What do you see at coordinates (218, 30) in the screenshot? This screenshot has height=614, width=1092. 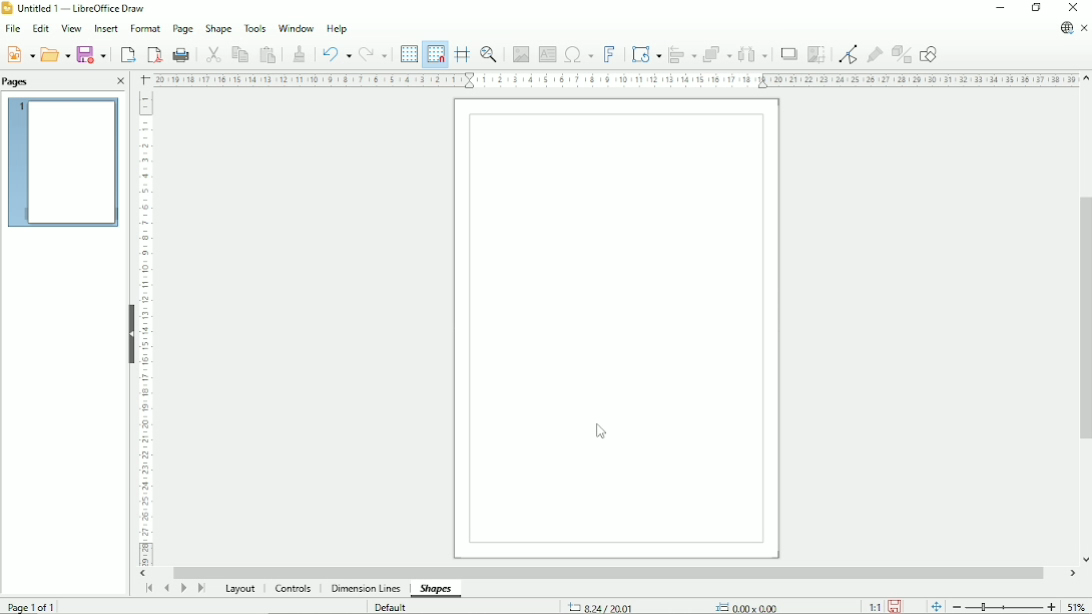 I see `Shape` at bounding box center [218, 30].